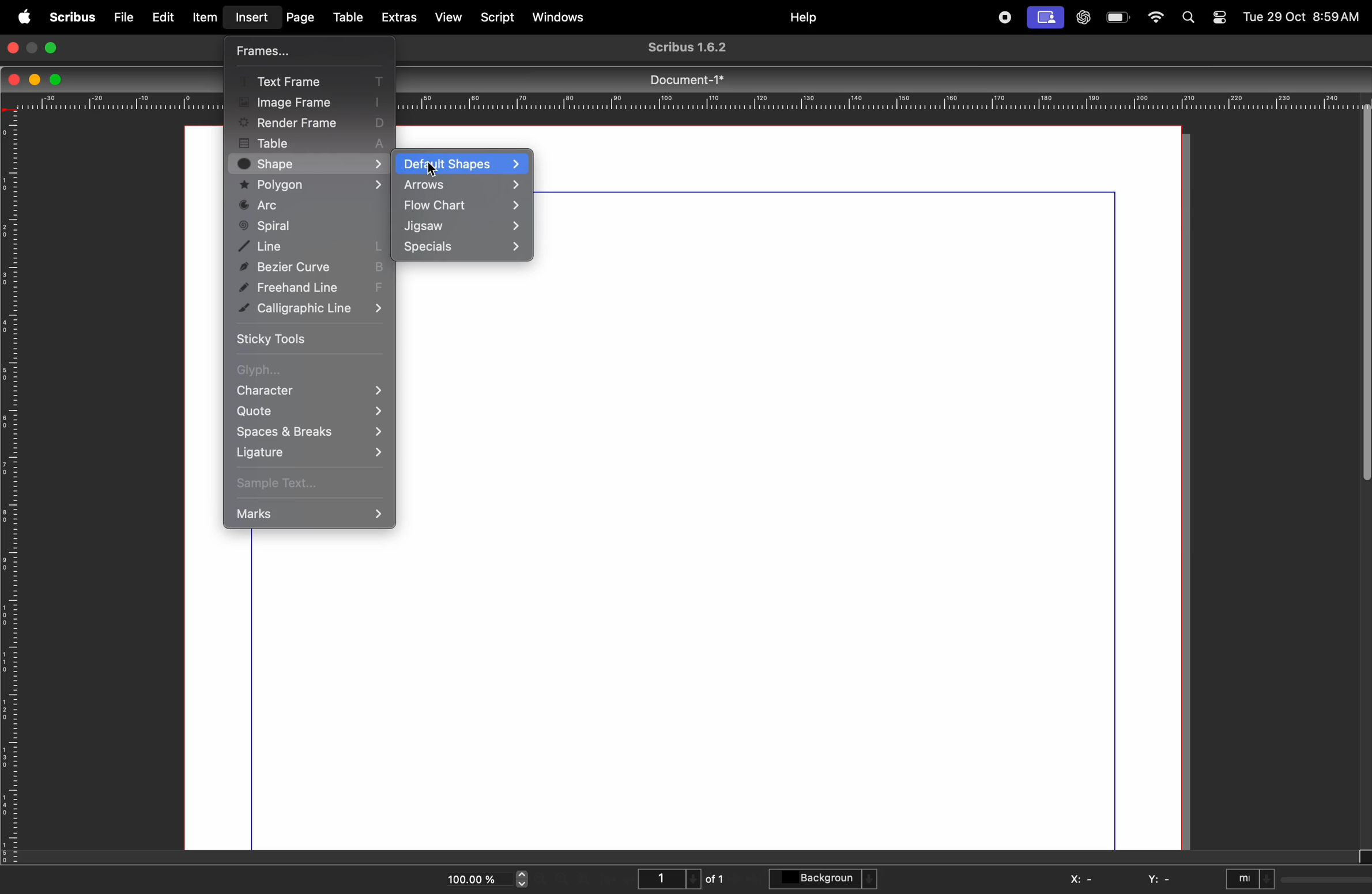 Image resolution: width=1372 pixels, height=894 pixels. What do you see at coordinates (1218, 13) in the screenshot?
I see `toggle` at bounding box center [1218, 13].